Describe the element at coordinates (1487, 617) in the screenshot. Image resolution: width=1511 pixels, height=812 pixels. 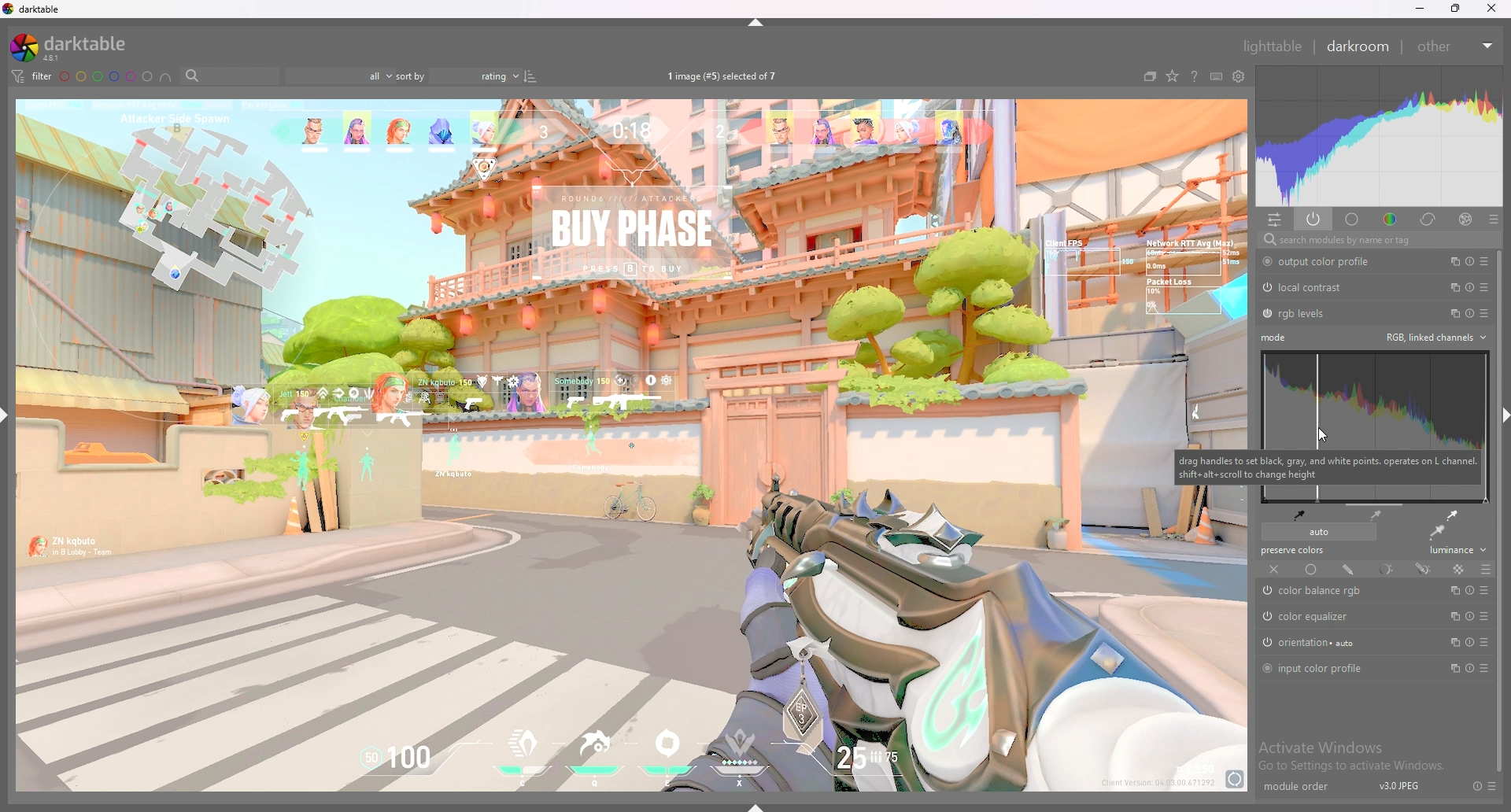
I see `presets` at that location.